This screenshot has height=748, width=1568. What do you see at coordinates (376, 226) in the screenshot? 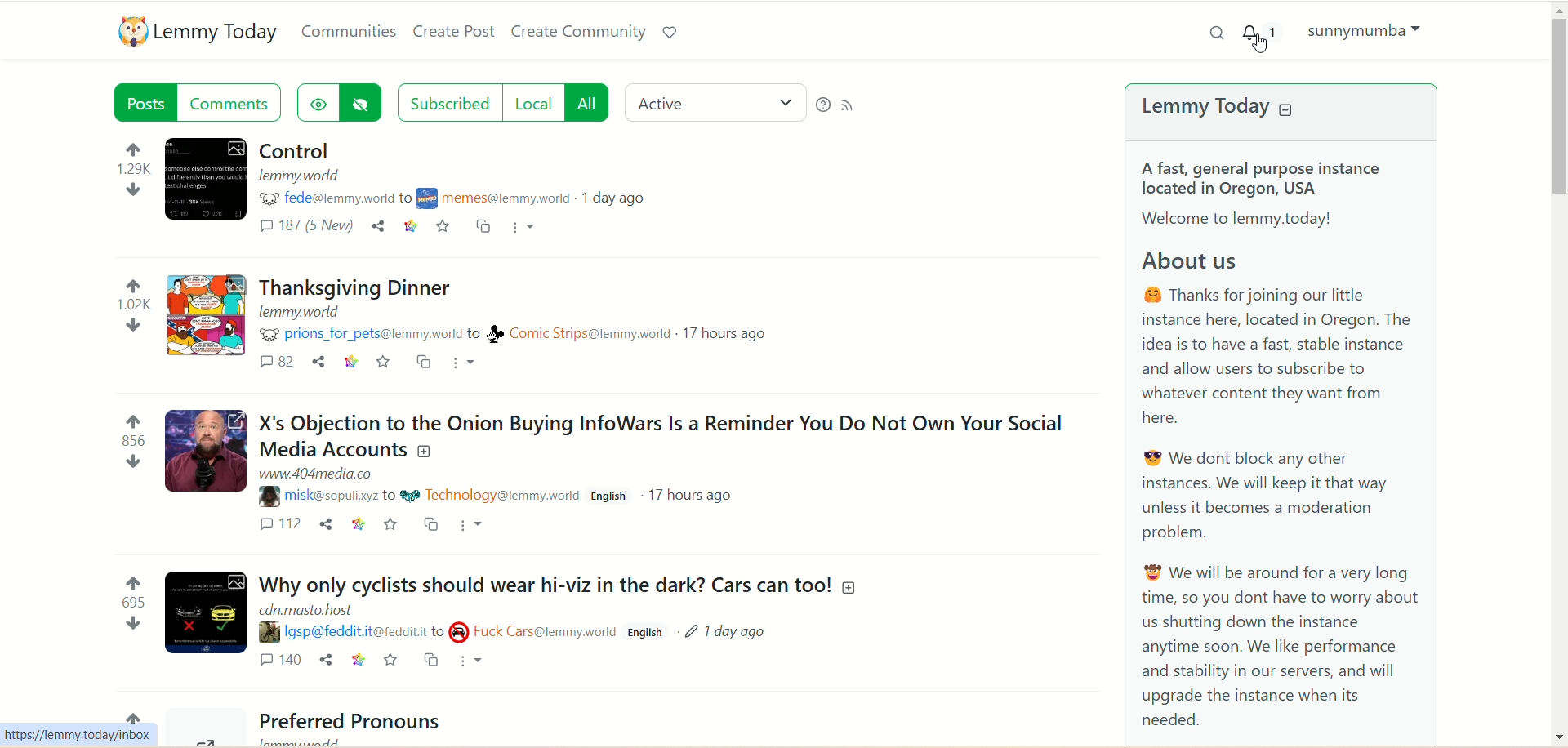
I see `share` at bounding box center [376, 226].